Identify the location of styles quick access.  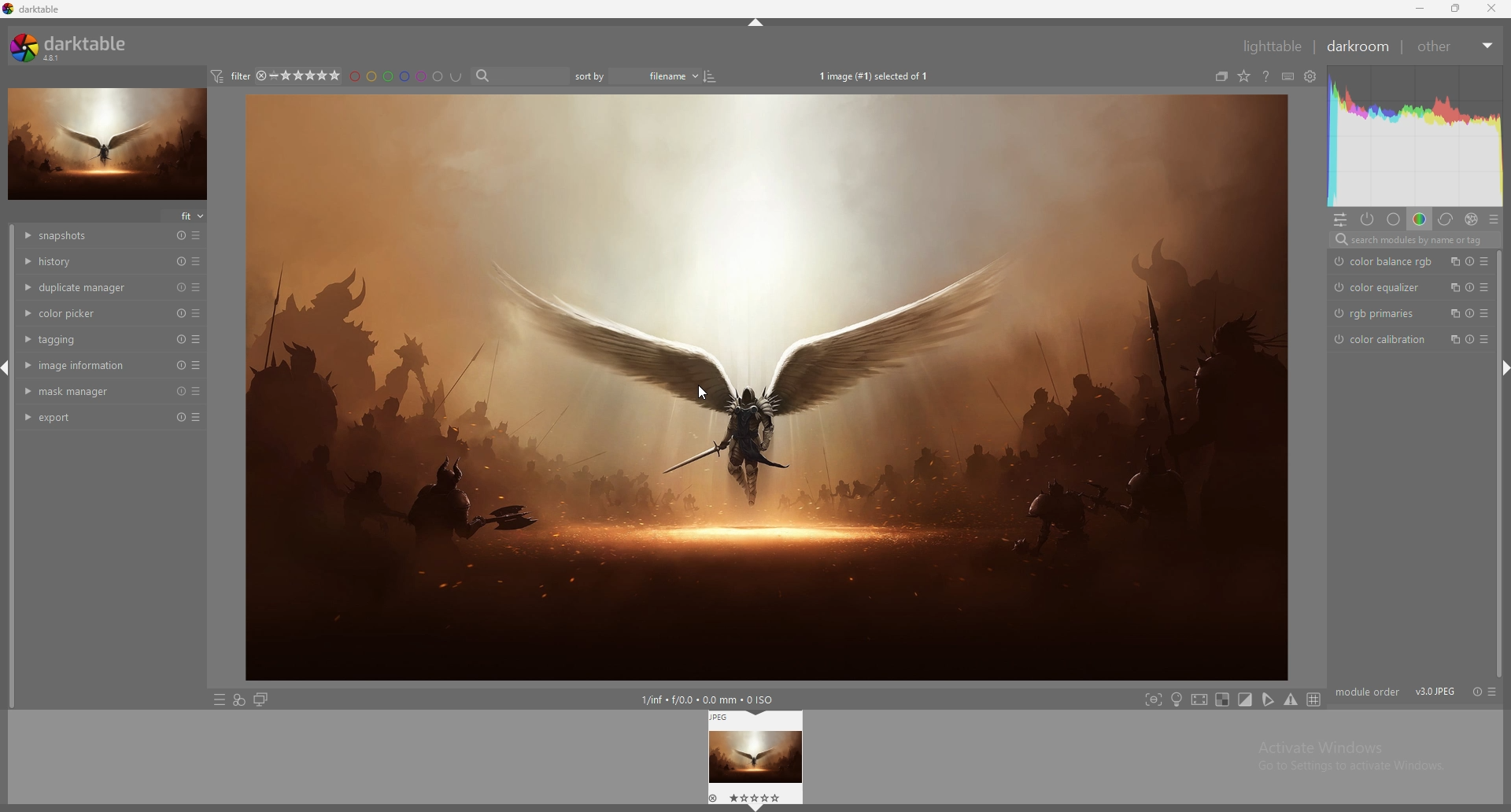
(238, 701).